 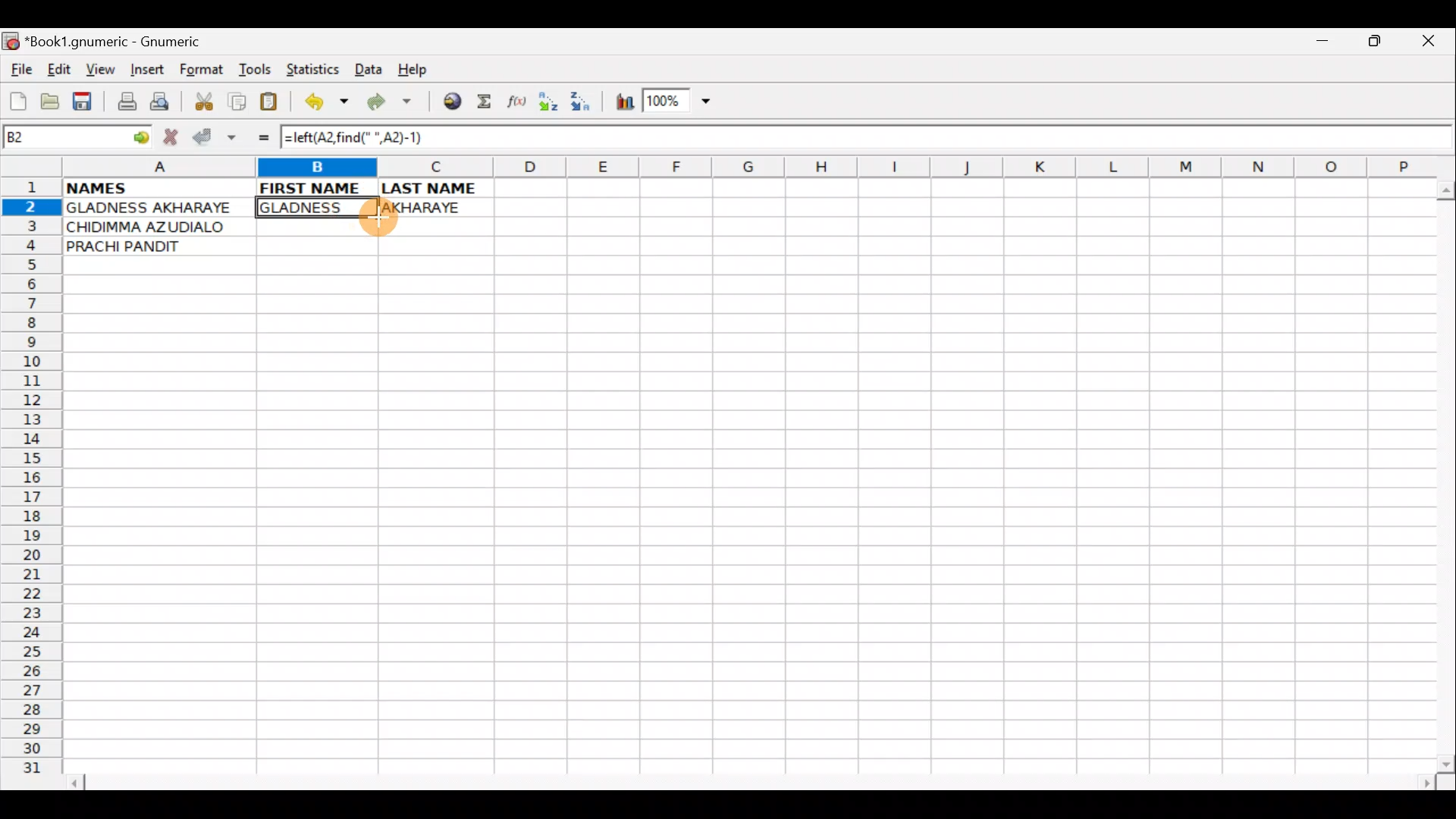 I want to click on Cell name B2, so click(x=61, y=138).